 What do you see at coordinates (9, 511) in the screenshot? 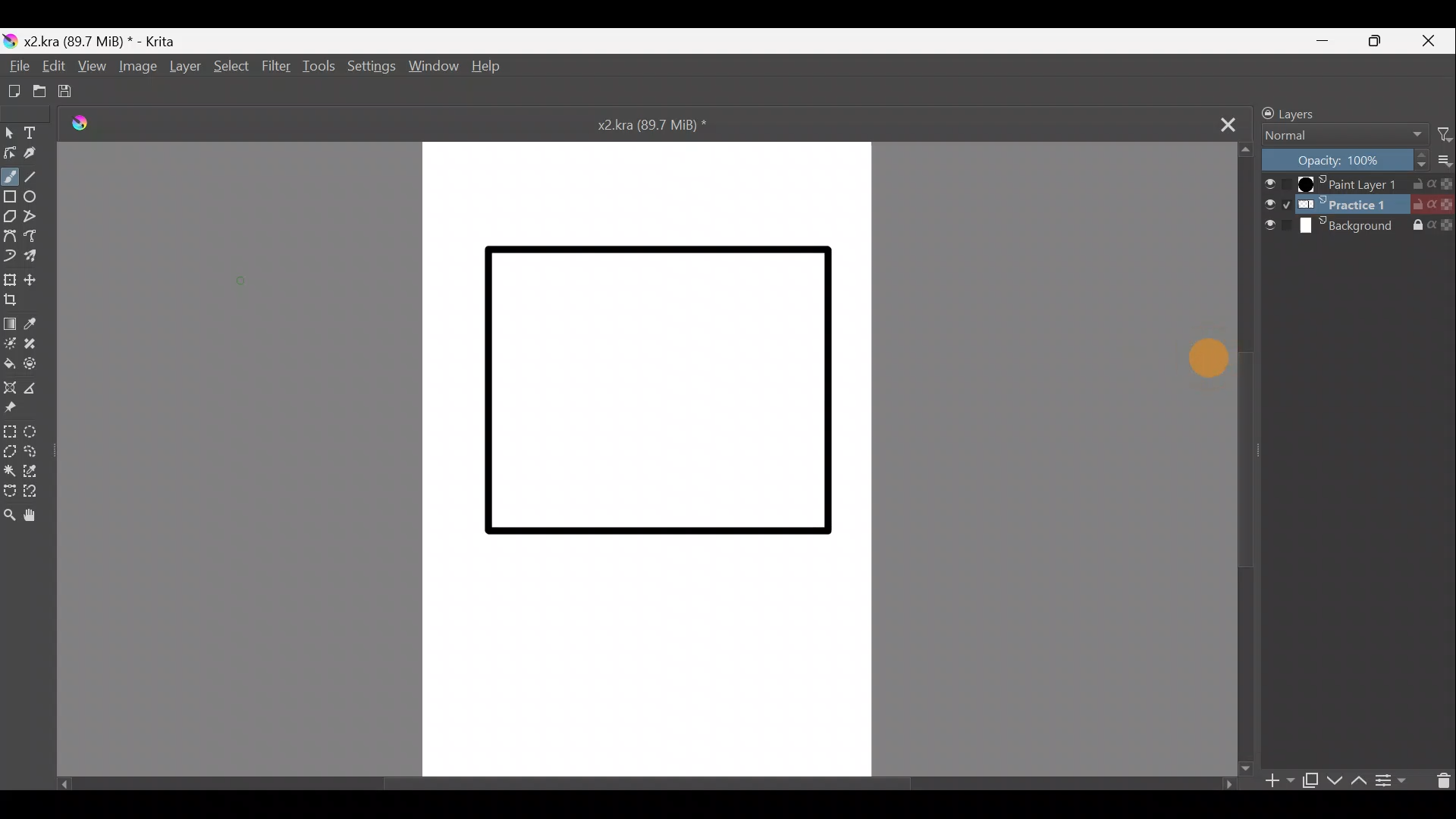
I see `Zoom tool` at bounding box center [9, 511].